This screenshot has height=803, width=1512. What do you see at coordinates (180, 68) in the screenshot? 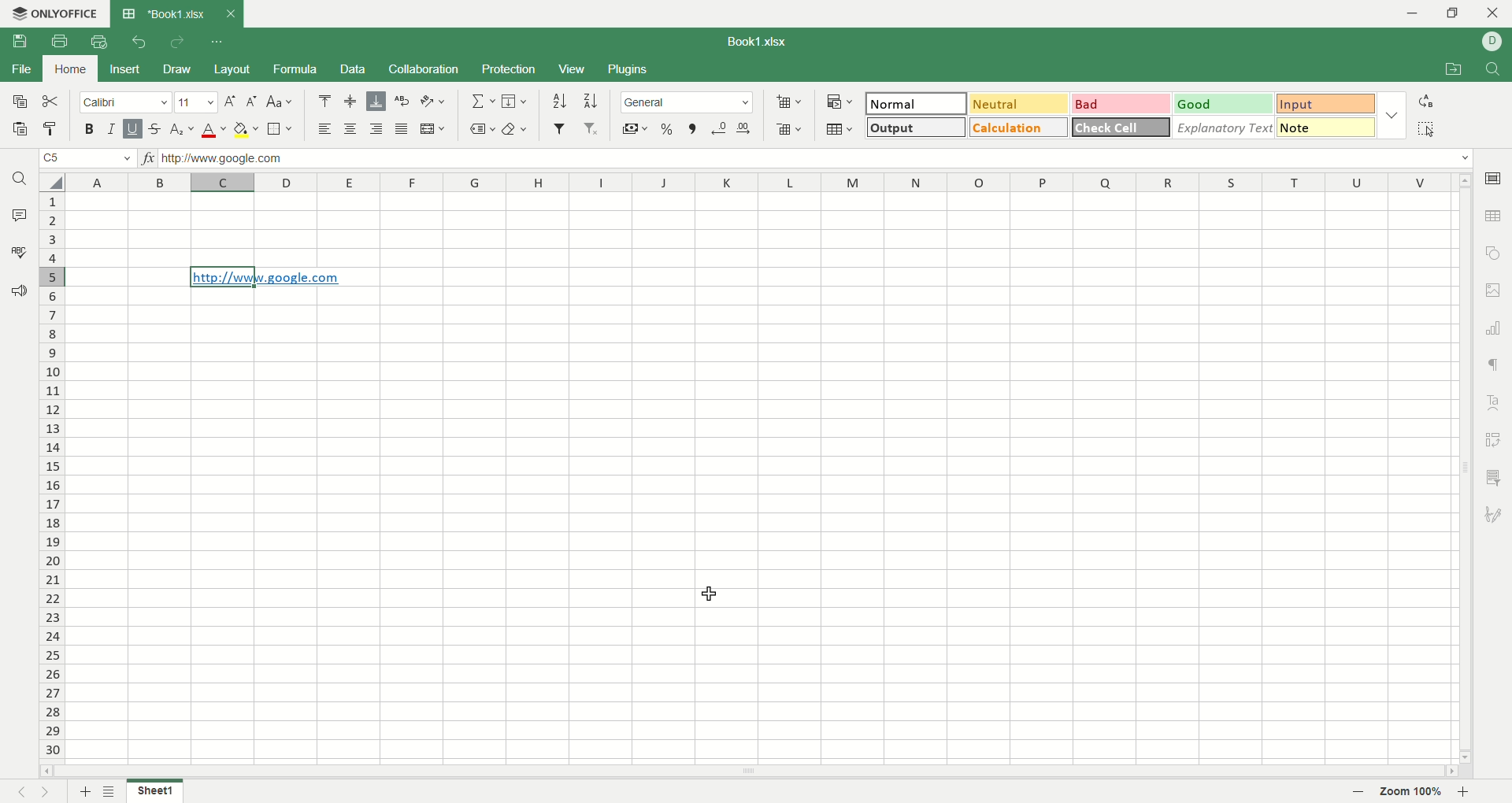
I see `draw` at bounding box center [180, 68].